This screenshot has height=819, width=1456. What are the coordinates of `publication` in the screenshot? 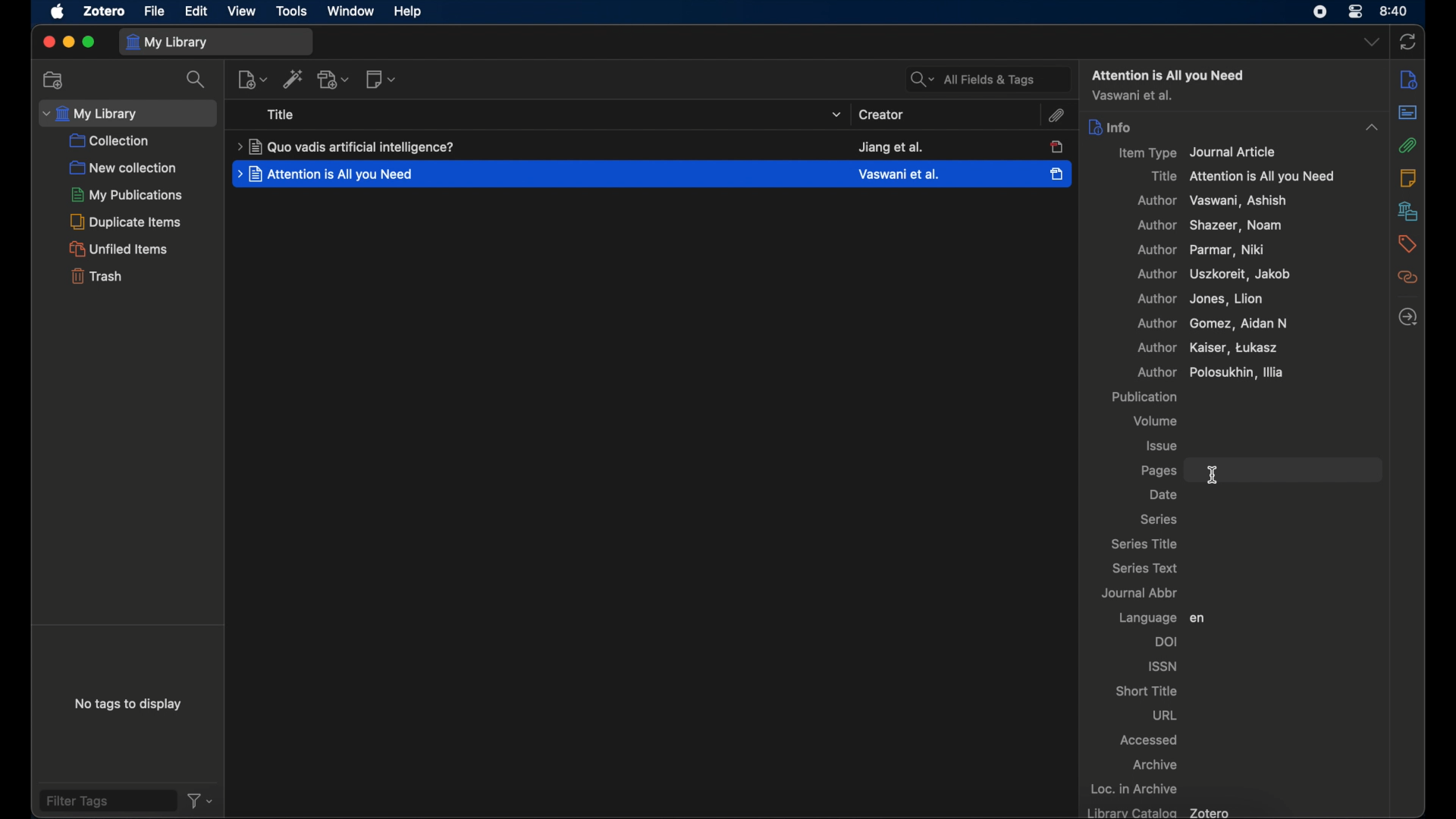 It's located at (1144, 397).